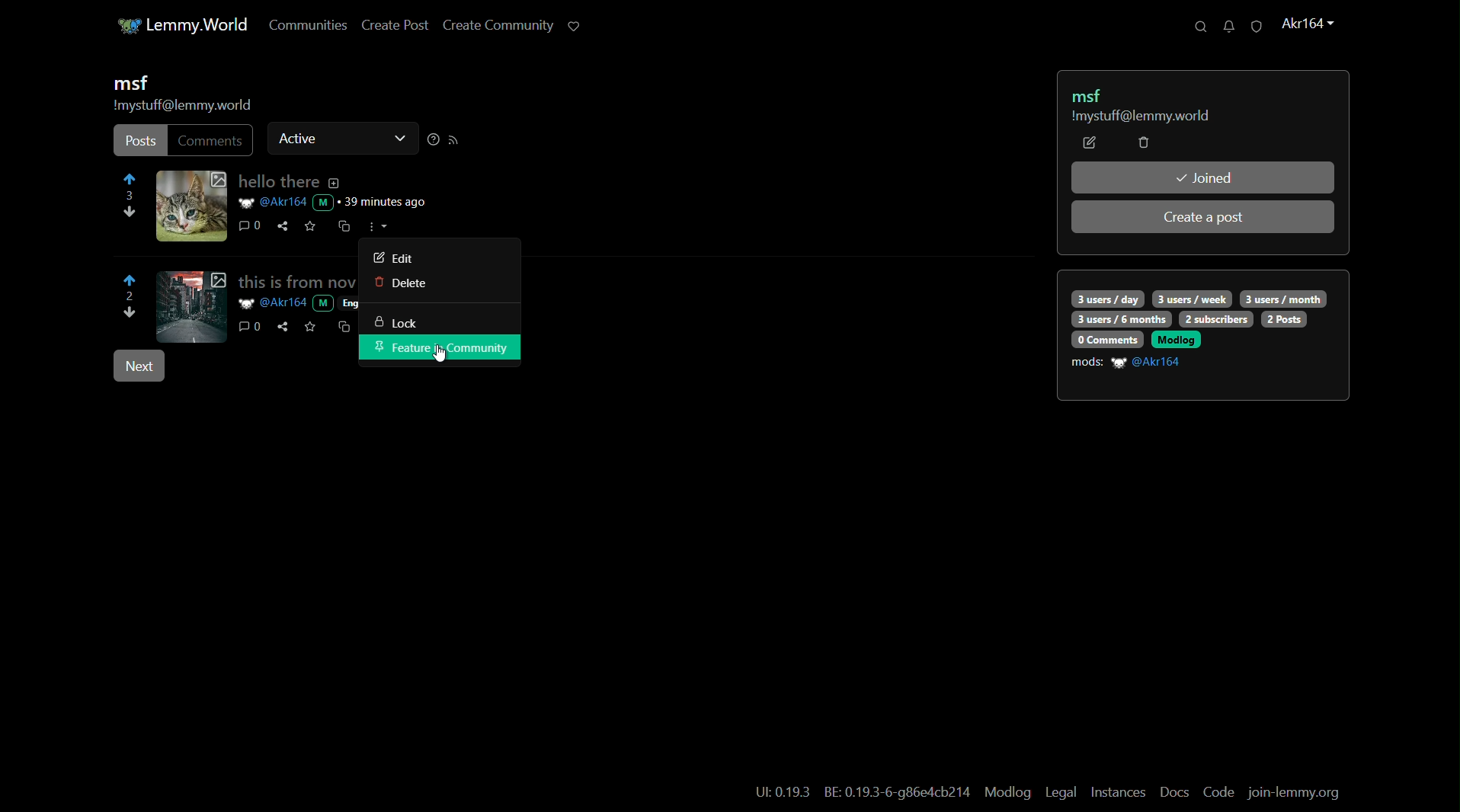 This screenshot has width=1460, height=812. I want to click on upvote, so click(130, 181).